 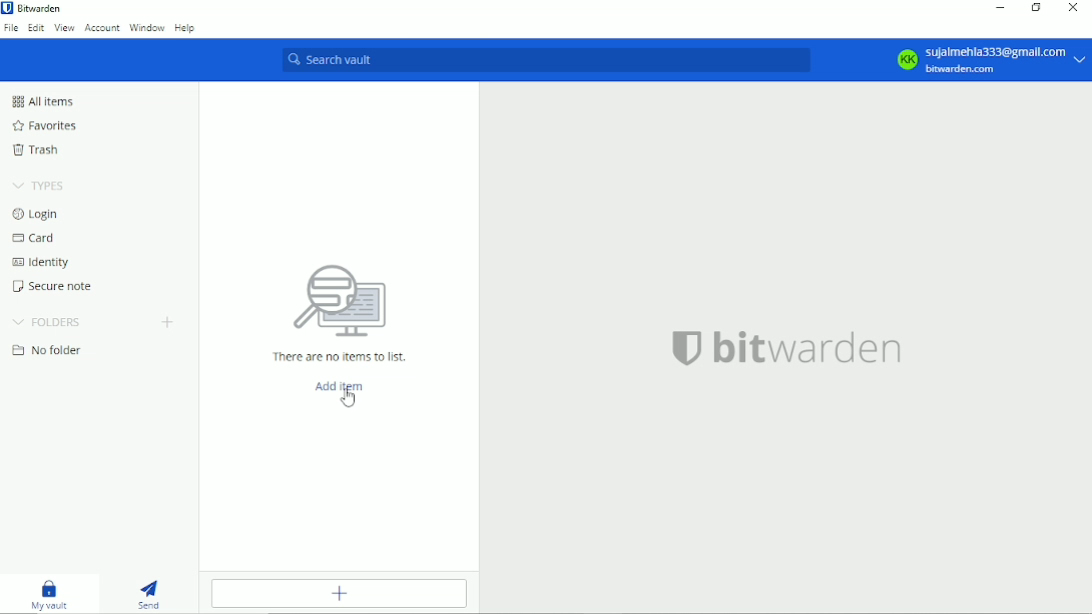 I want to click on Help, so click(x=187, y=28).